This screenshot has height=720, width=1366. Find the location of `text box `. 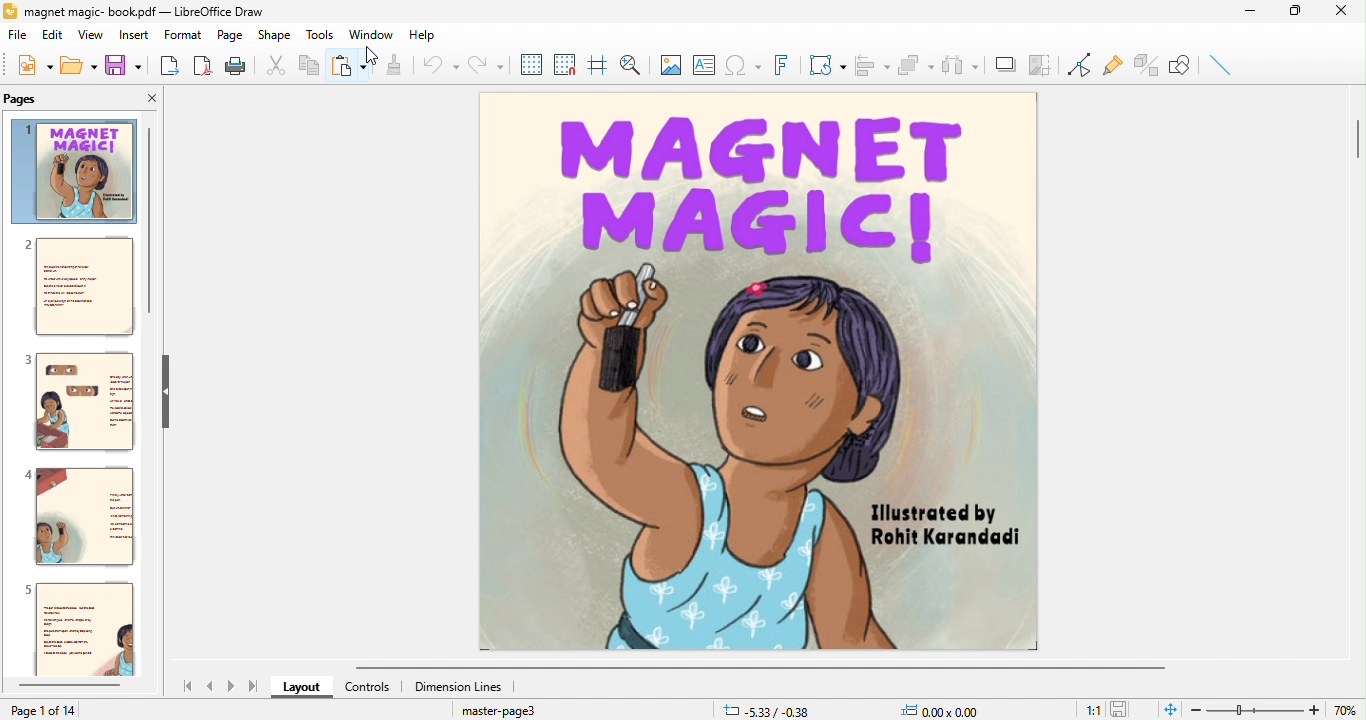

text box  is located at coordinates (702, 63).